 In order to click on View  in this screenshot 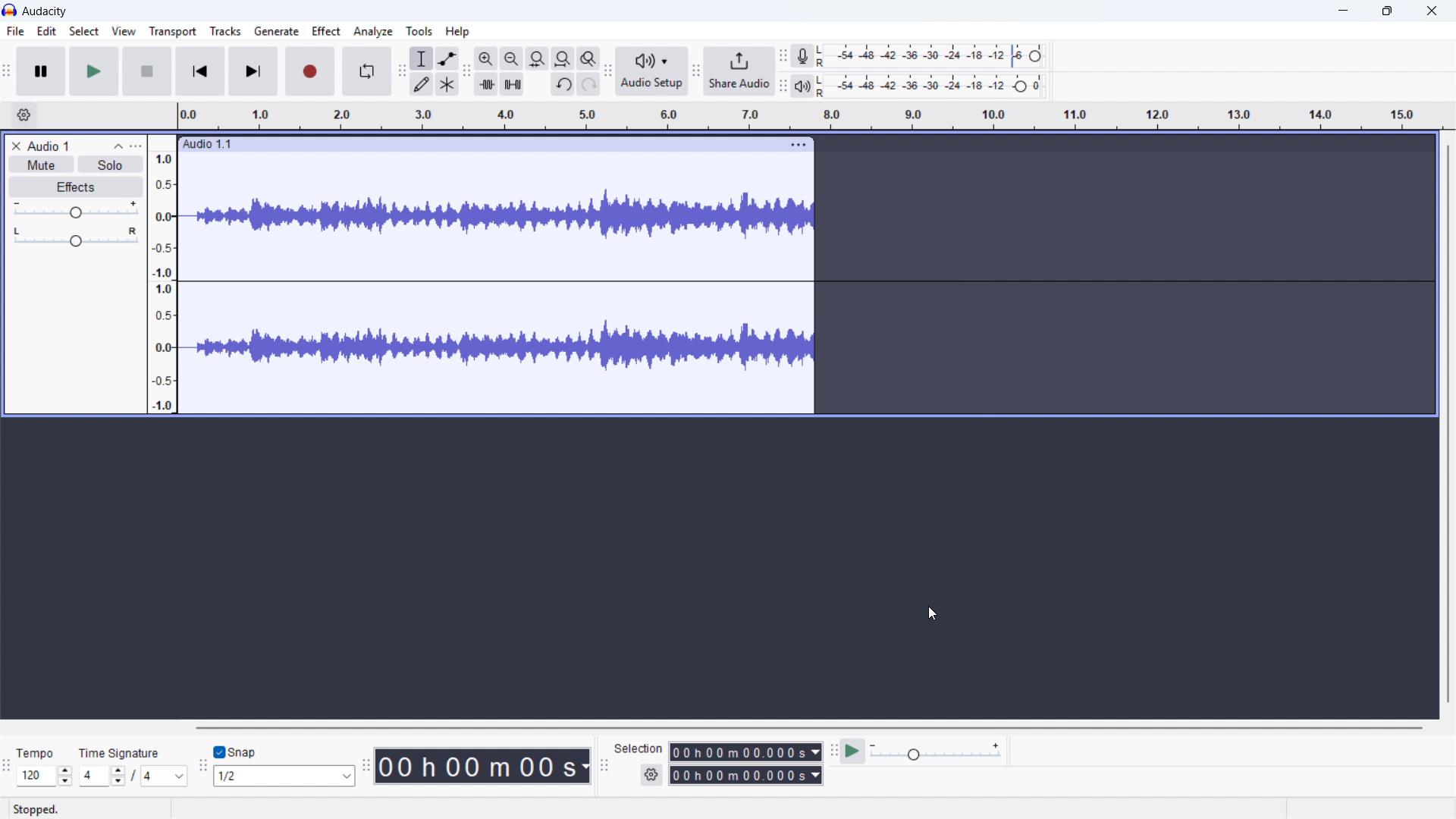, I will do `click(124, 32)`.